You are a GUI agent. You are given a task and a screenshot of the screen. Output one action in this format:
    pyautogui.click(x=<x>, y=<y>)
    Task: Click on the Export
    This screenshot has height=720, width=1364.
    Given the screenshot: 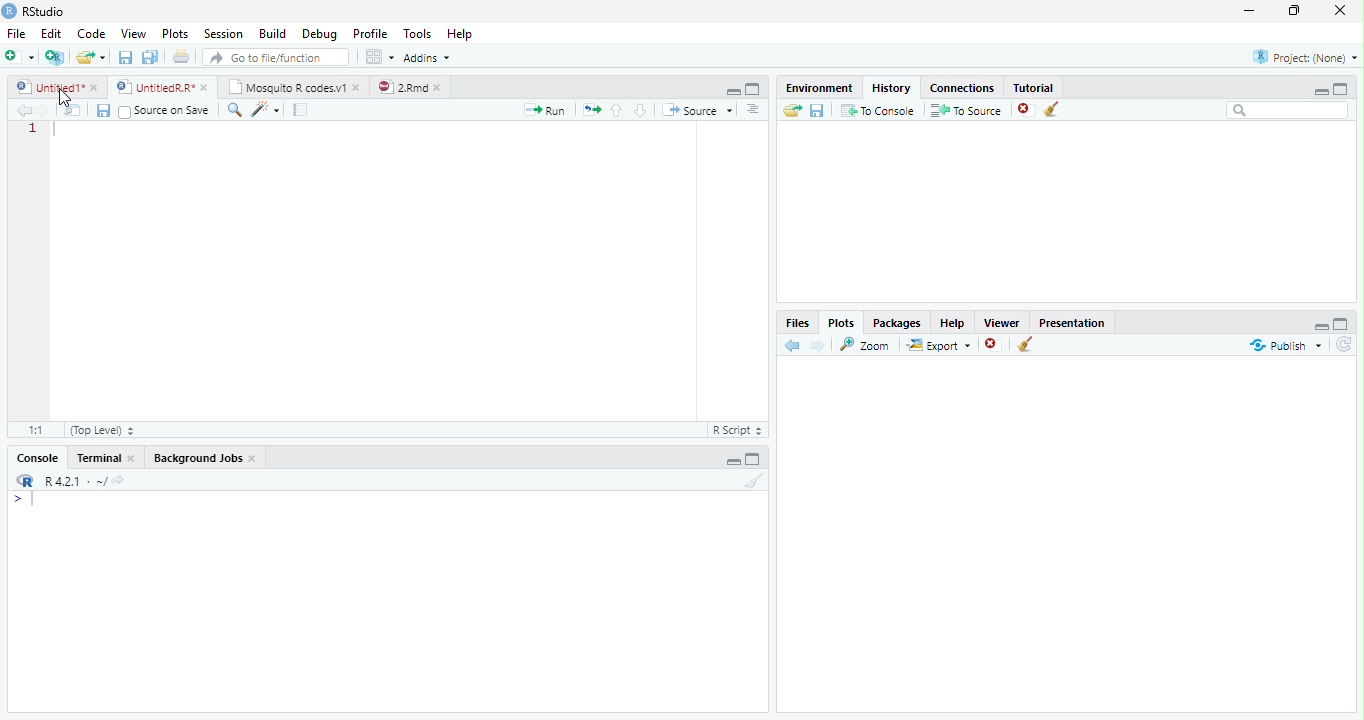 What is the action you would take?
    pyautogui.click(x=937, y=345)
    